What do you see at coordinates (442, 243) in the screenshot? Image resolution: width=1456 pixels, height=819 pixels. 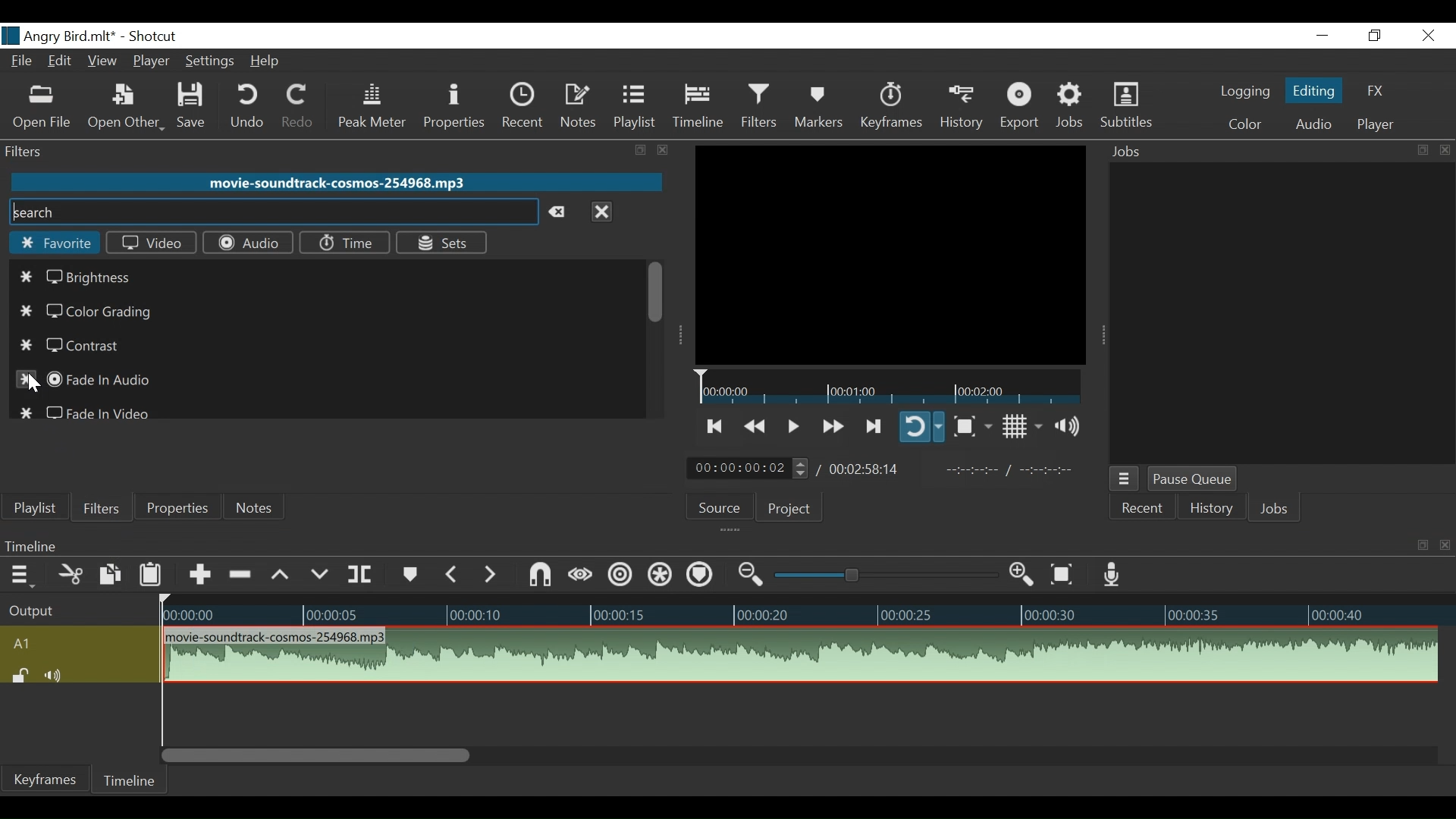 I see `Sets` at bounding box center [442, 243].